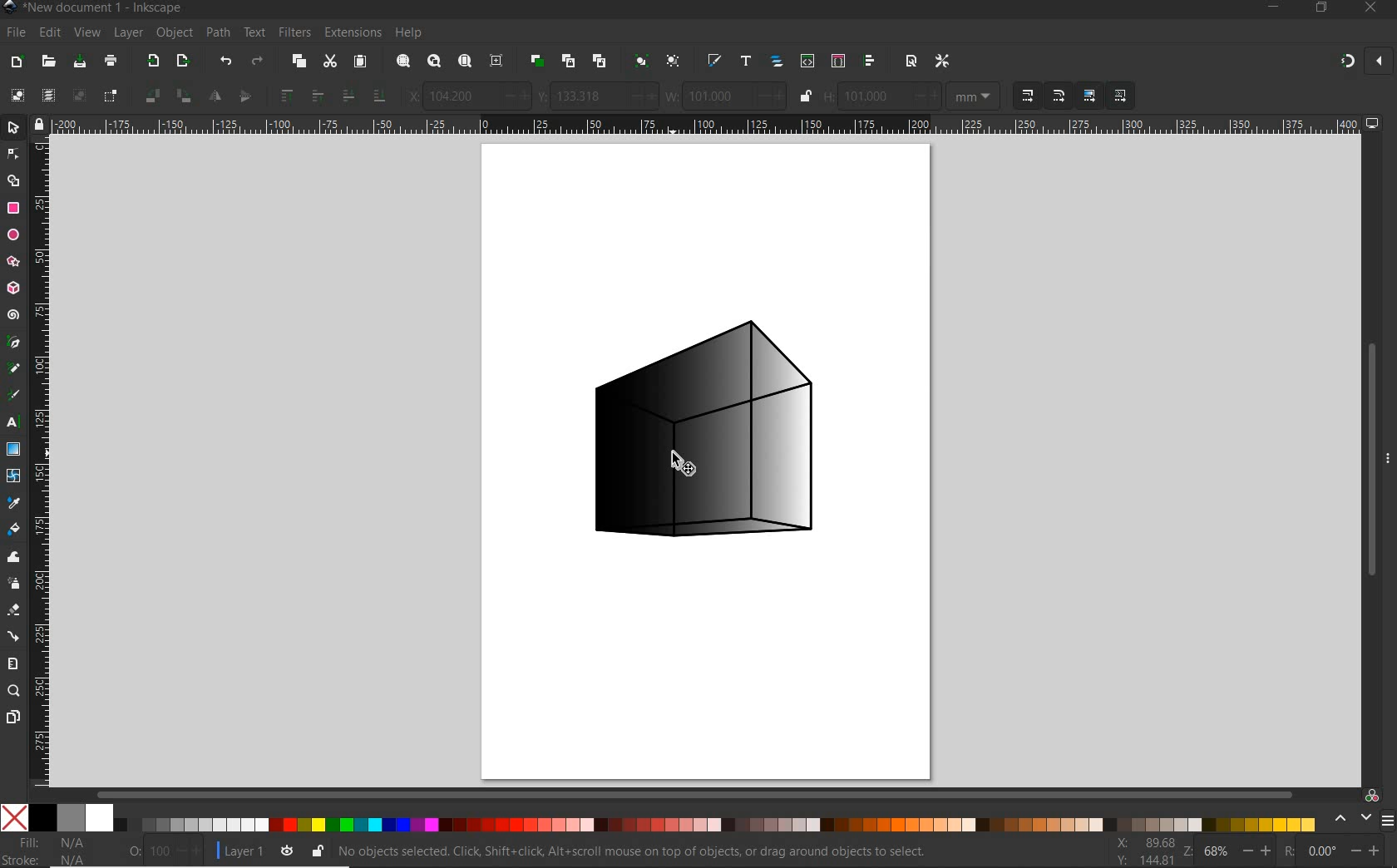 The width and height of the screenshot is (1397, 868). What do you see at coordinates (111, 60) in the screenshot?
I see `PRINT` at bounding box center [111, 60].